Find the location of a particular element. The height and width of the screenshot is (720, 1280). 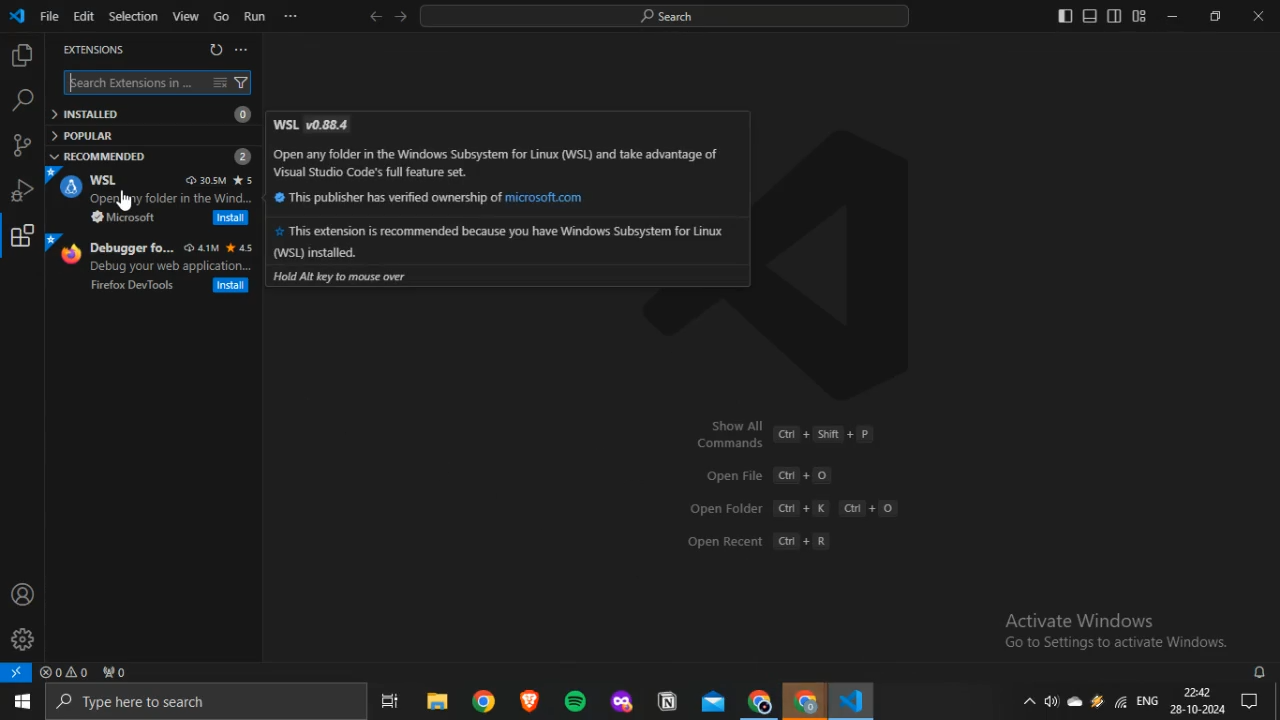

manage is located at coordinates (22, 639).